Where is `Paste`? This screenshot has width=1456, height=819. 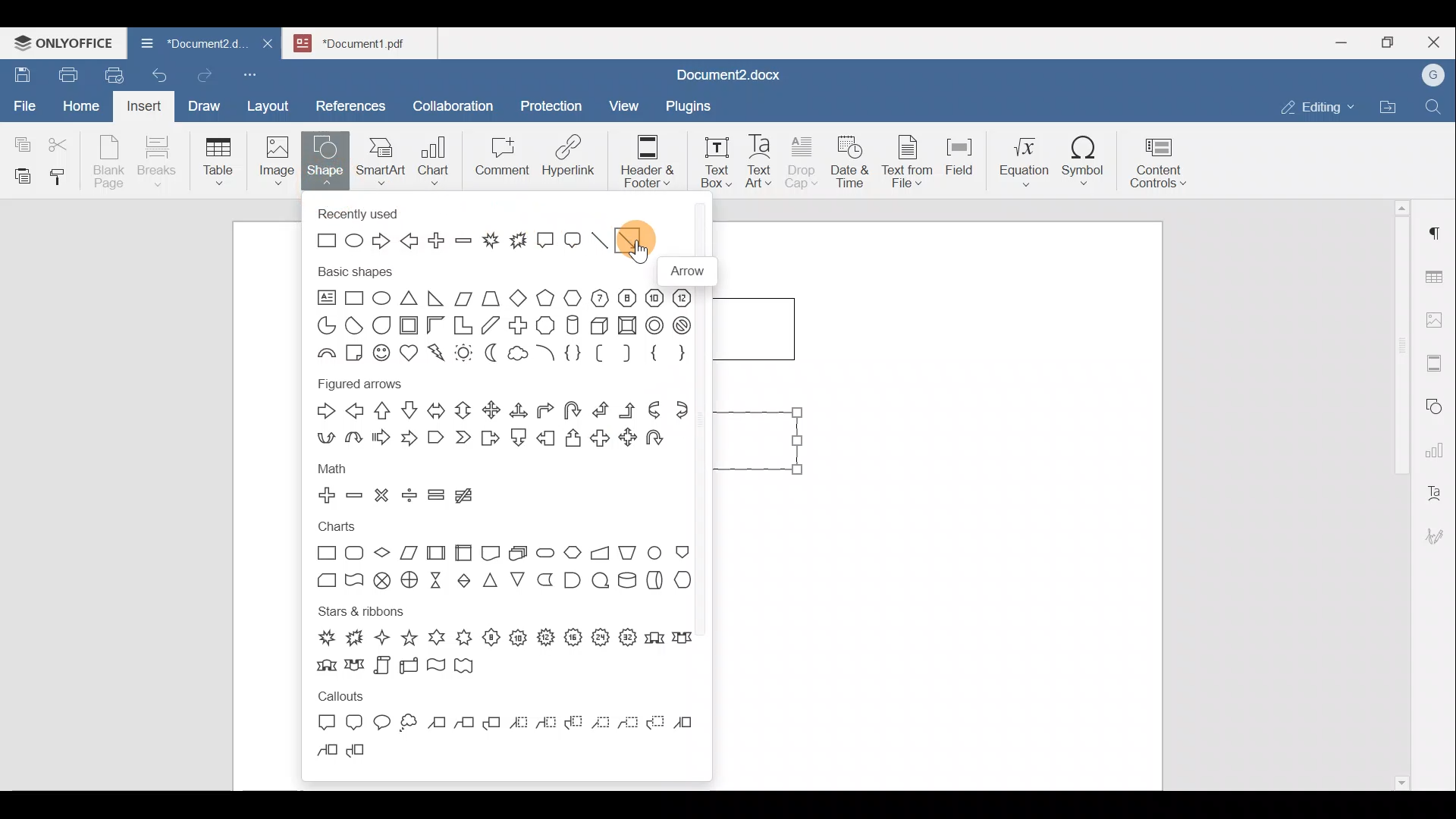
Paste is located at coordinates (19, 172).